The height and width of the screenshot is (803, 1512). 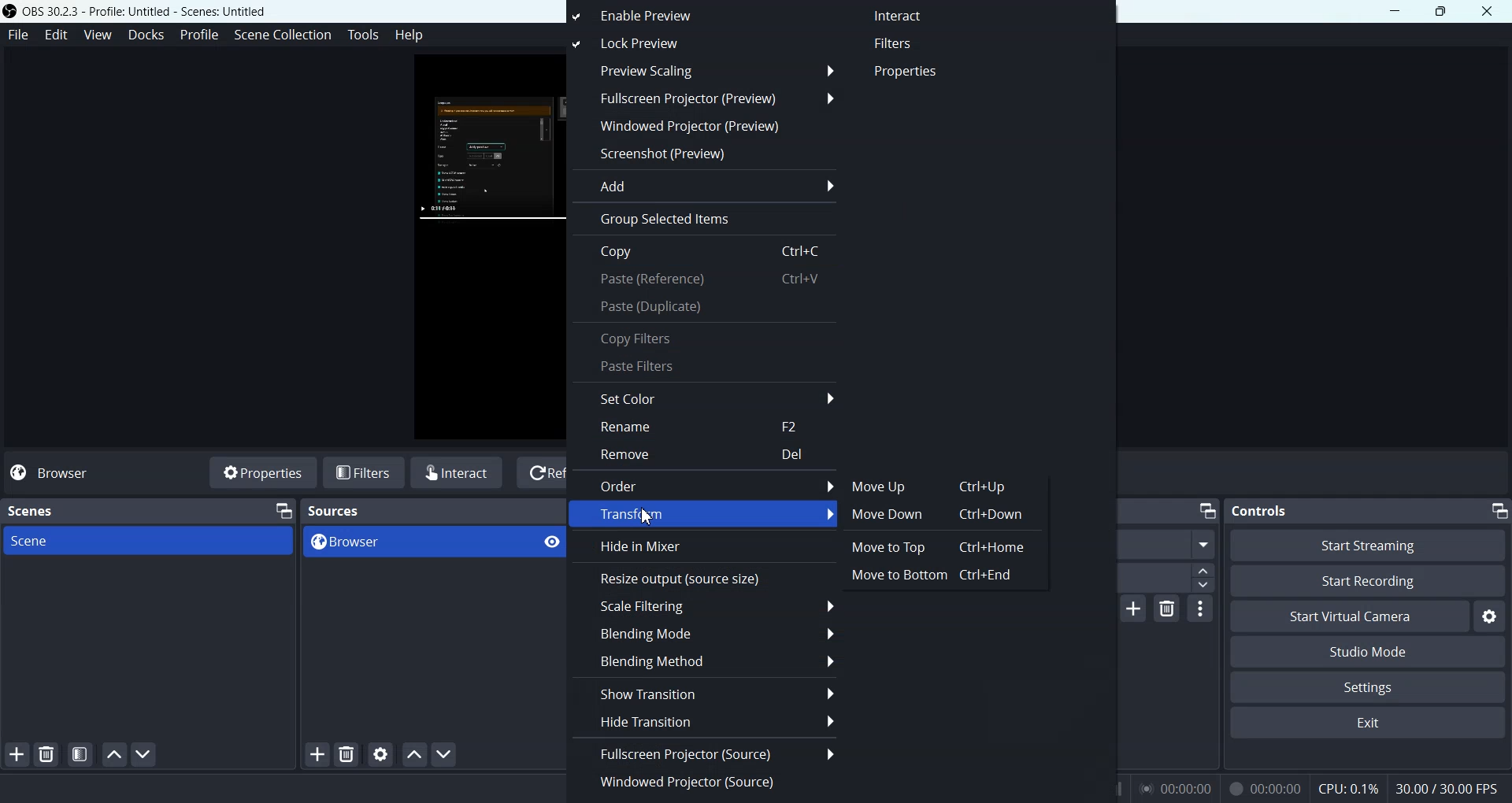 What do you see at coordinates (458, 472) in the screenshot?
I see `Interact` at bounding box center [458, 472].